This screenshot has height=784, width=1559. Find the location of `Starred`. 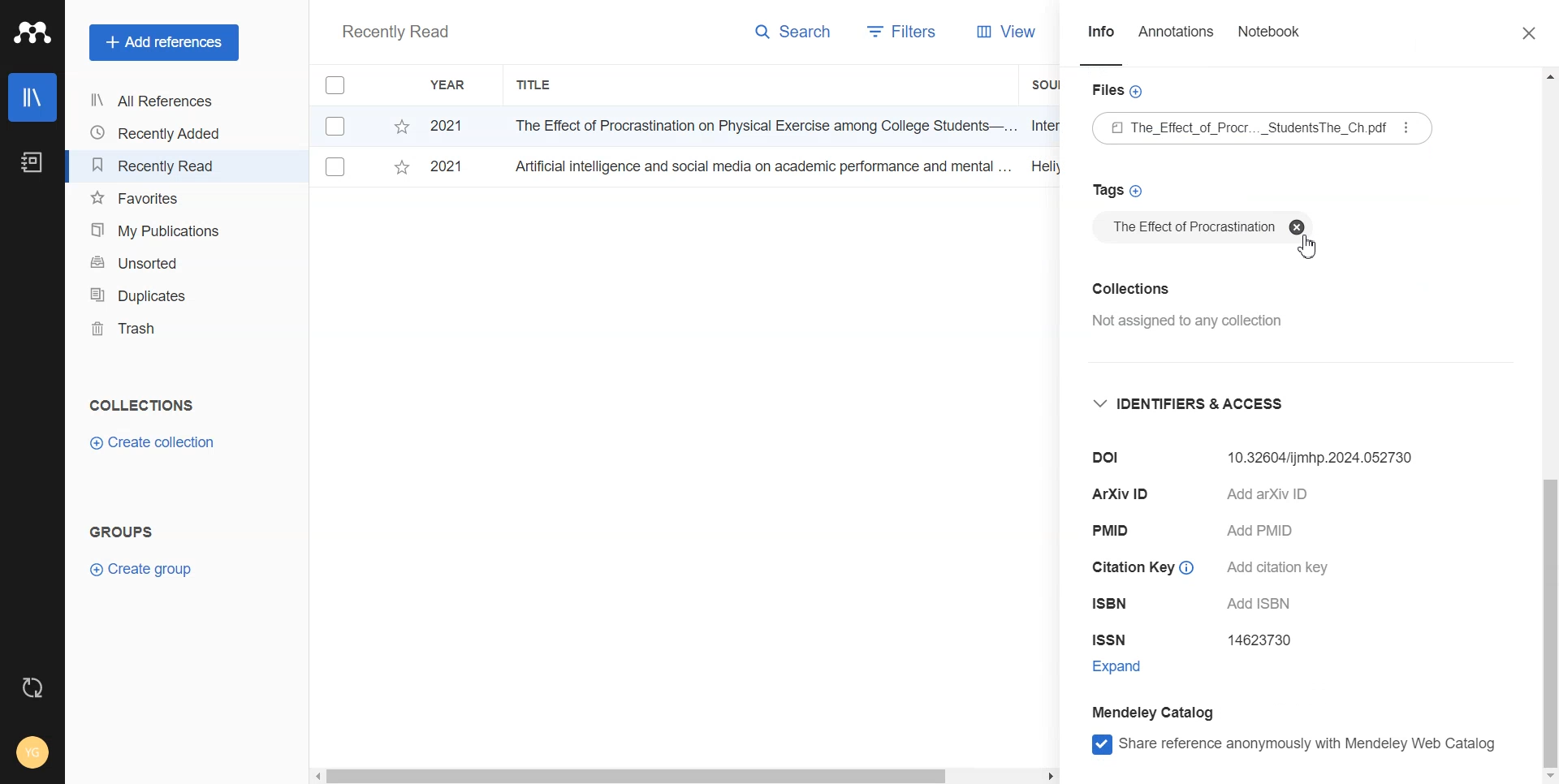

Starred is located at coordinates (401, 170).